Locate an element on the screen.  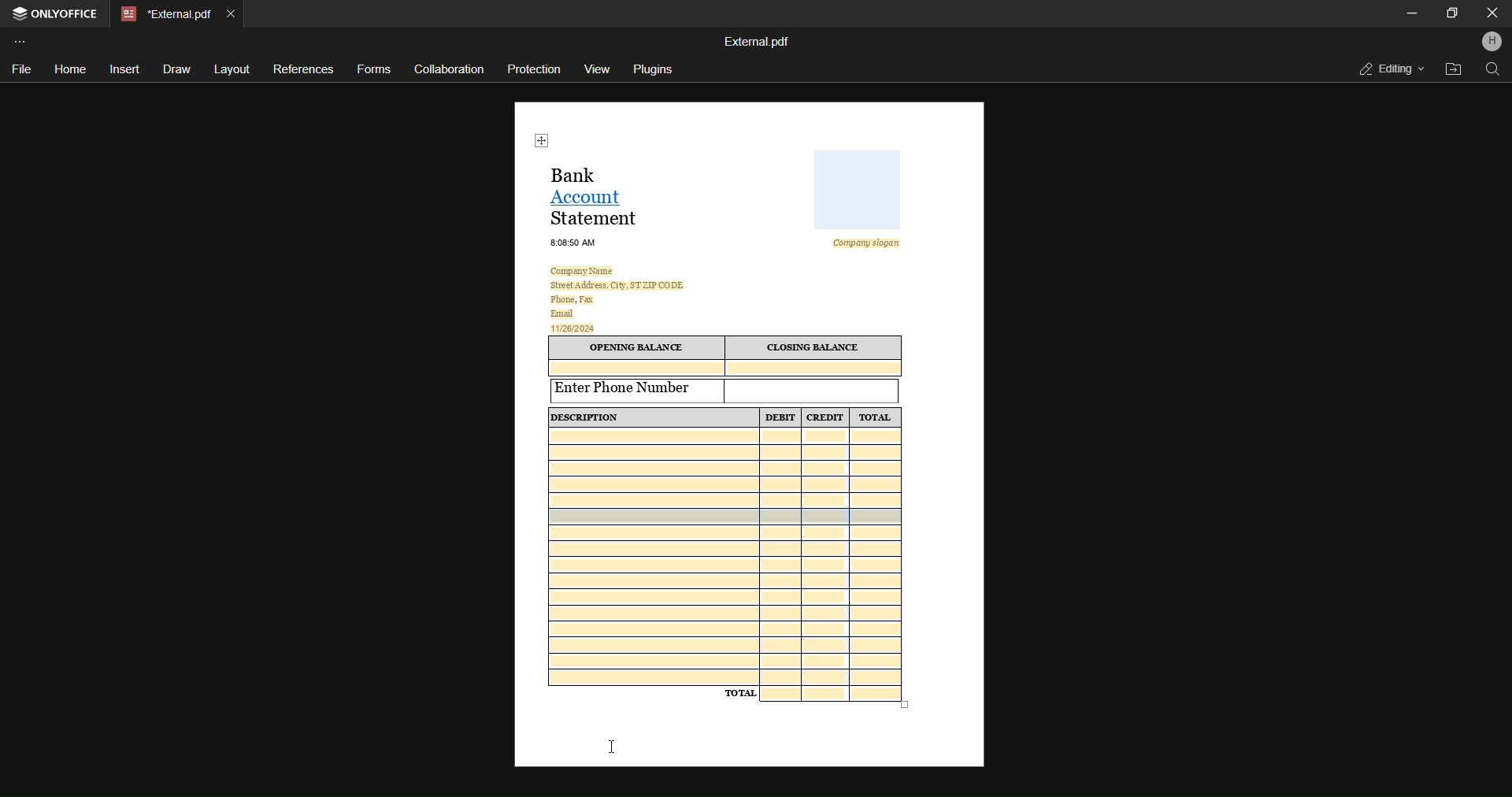
Bank is located at coordinates (580, 173).